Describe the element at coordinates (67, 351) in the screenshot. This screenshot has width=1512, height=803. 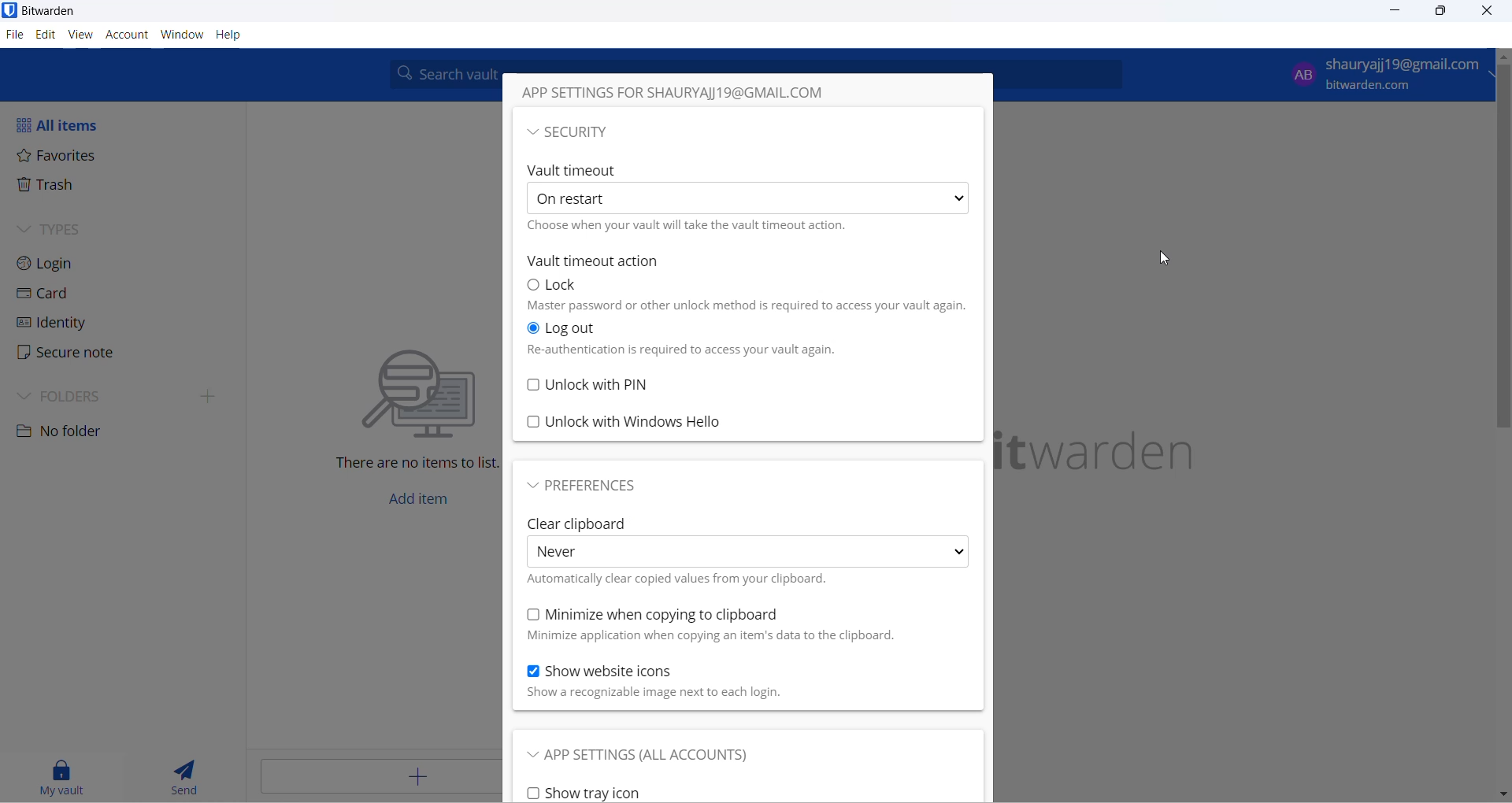
I see `Secure note` at that location.